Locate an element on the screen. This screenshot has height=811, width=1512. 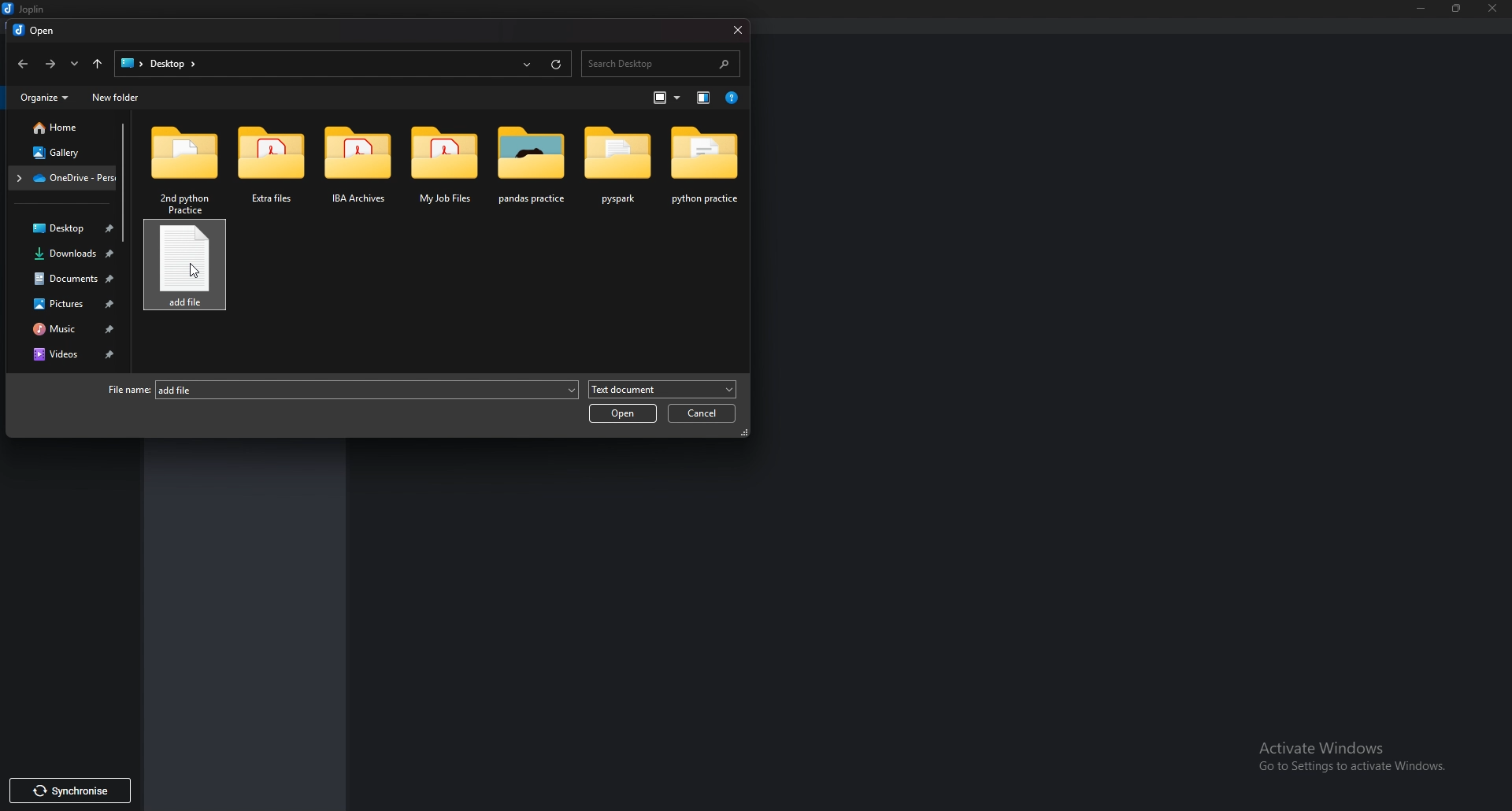
Home is located at coordinates (58, 128).